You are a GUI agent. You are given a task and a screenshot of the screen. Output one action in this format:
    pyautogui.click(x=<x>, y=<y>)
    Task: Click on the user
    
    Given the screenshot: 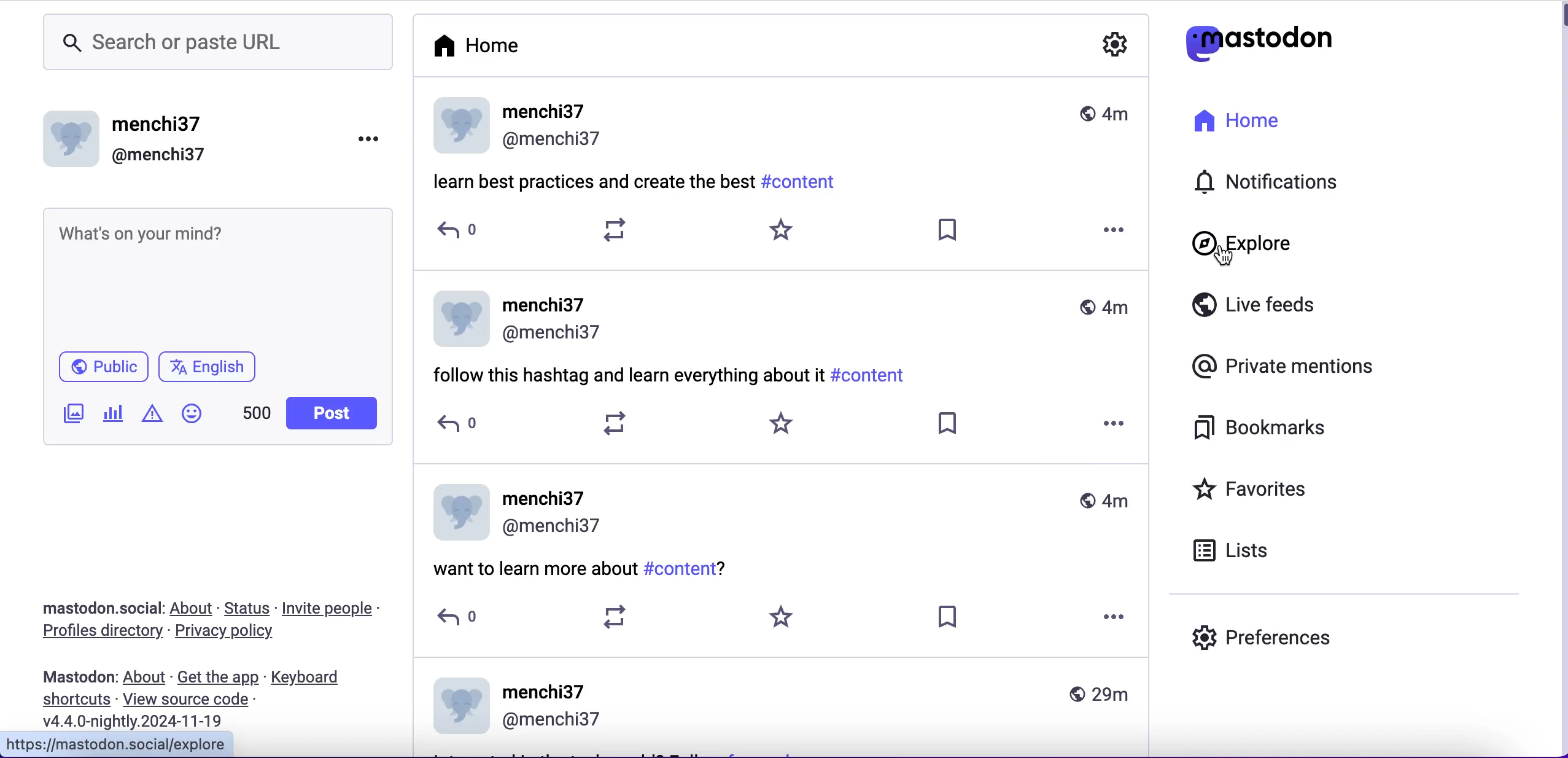 What is the action you would take?
    pyautogui.click(x=187, y=146)
    